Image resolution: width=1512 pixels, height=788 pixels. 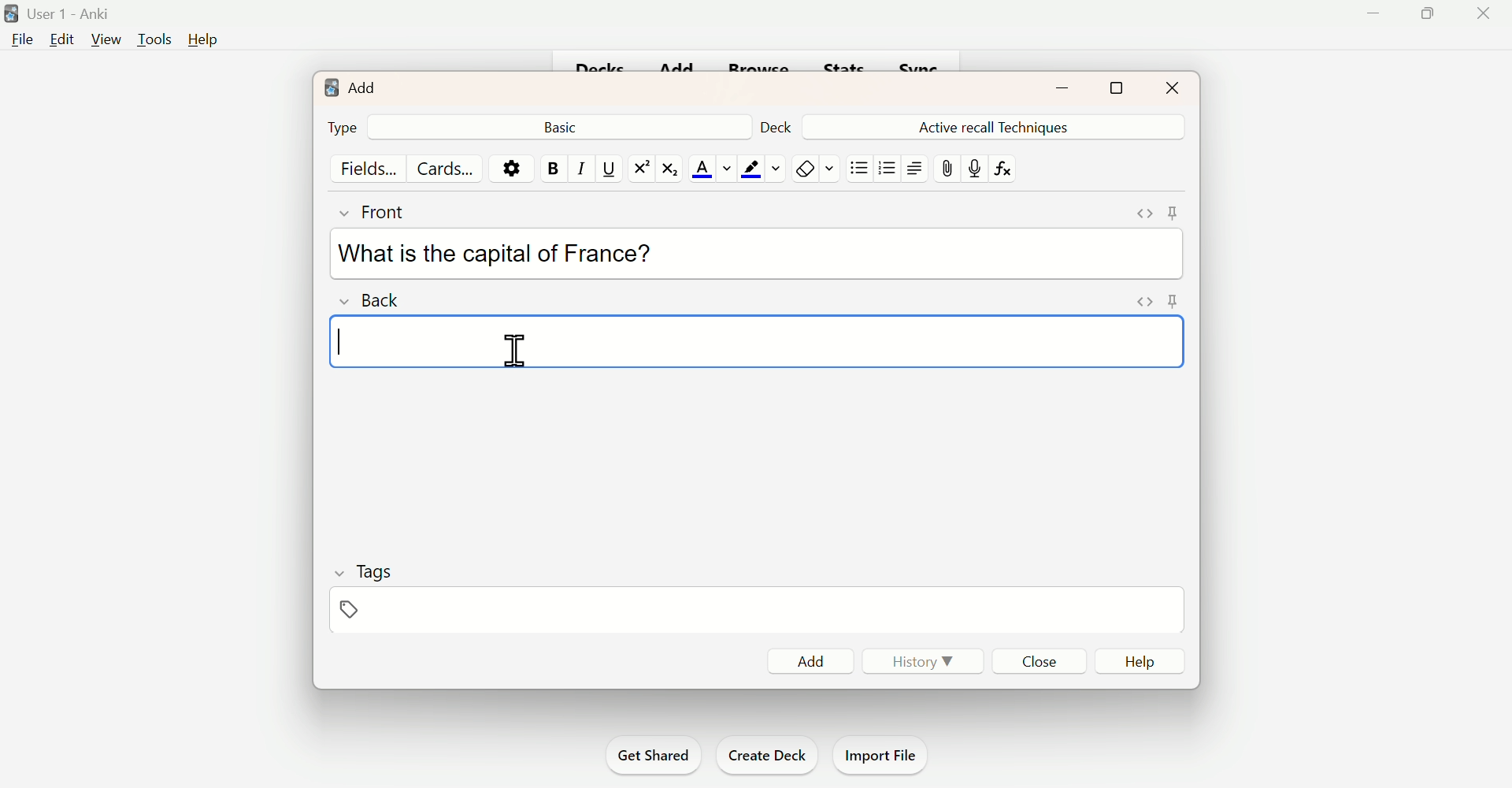 I want to click on Active Recall Techniques, so click(x=998, y=125).